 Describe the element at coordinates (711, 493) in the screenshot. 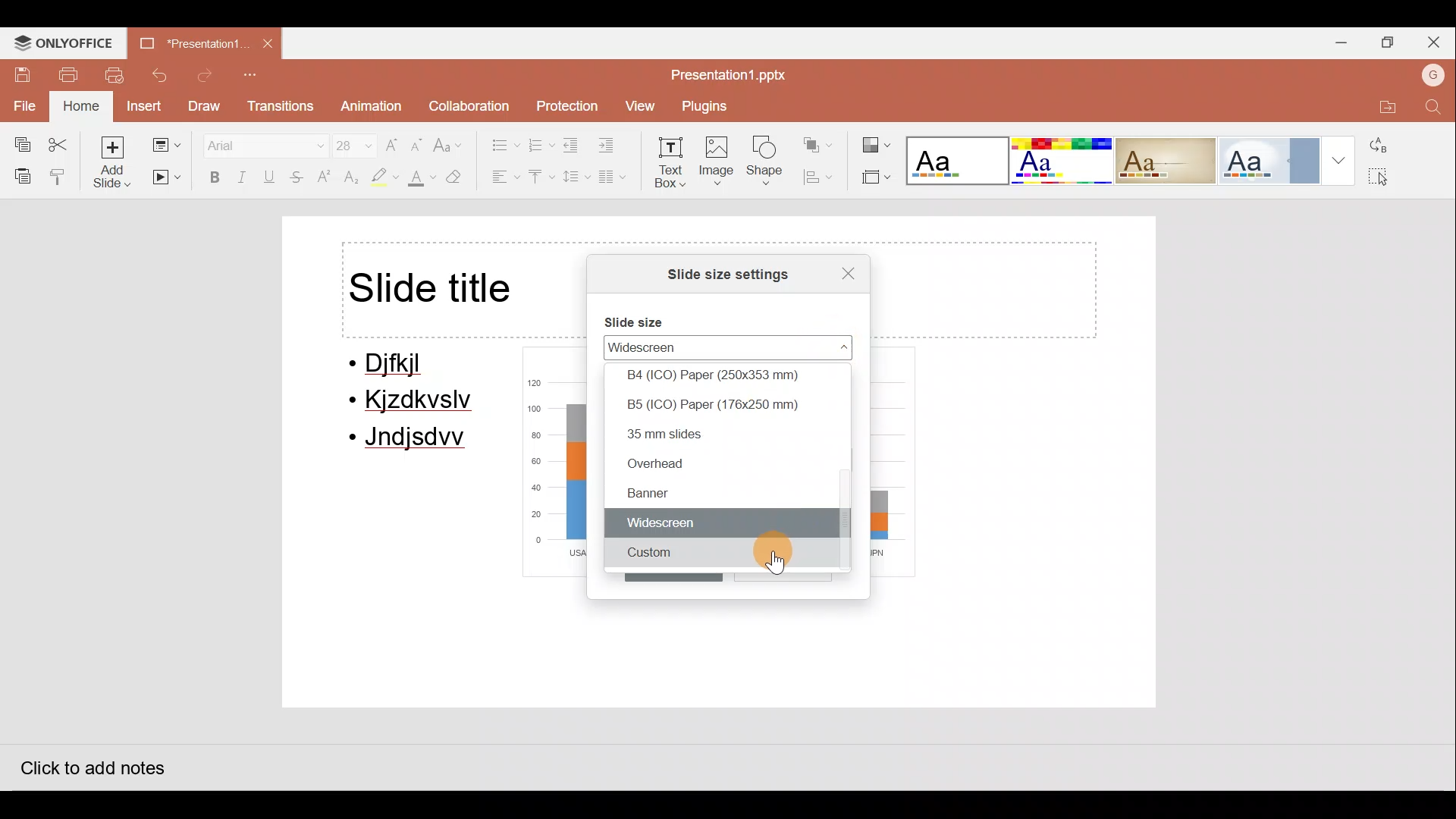

I see `Banner` at that location.